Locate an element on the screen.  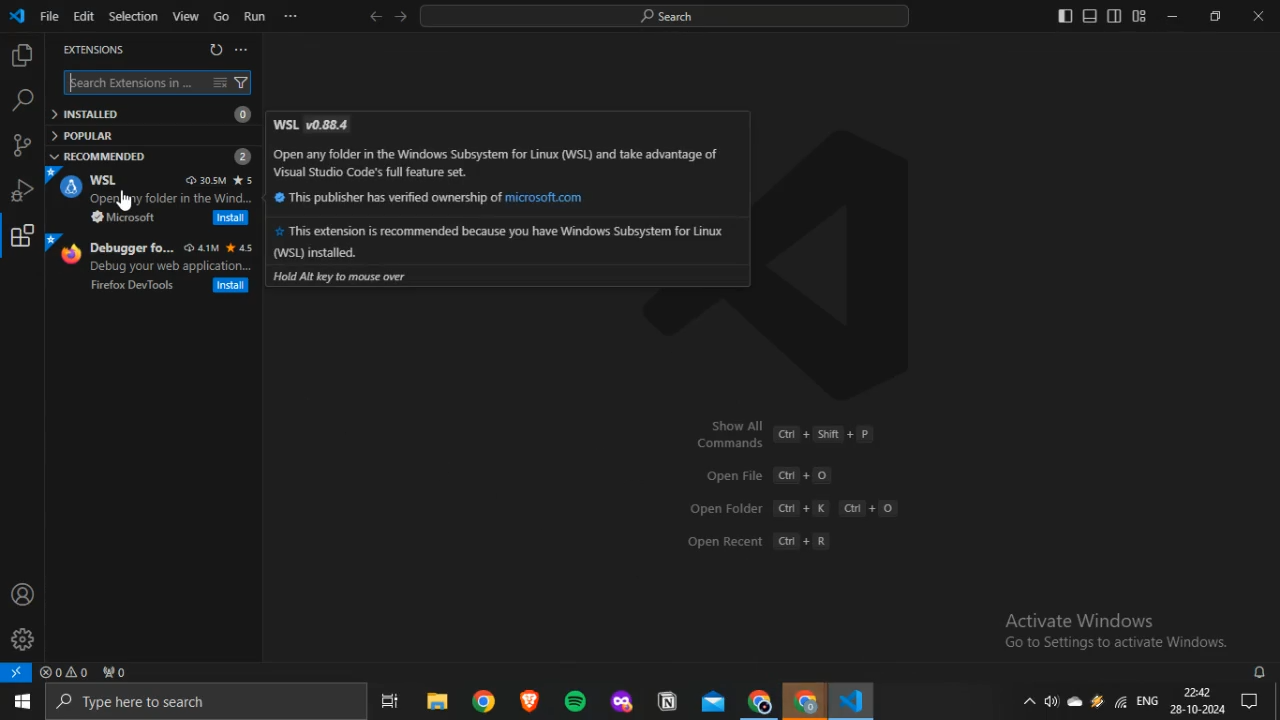
RECOMMENDED is located at coordinates (152, 156).